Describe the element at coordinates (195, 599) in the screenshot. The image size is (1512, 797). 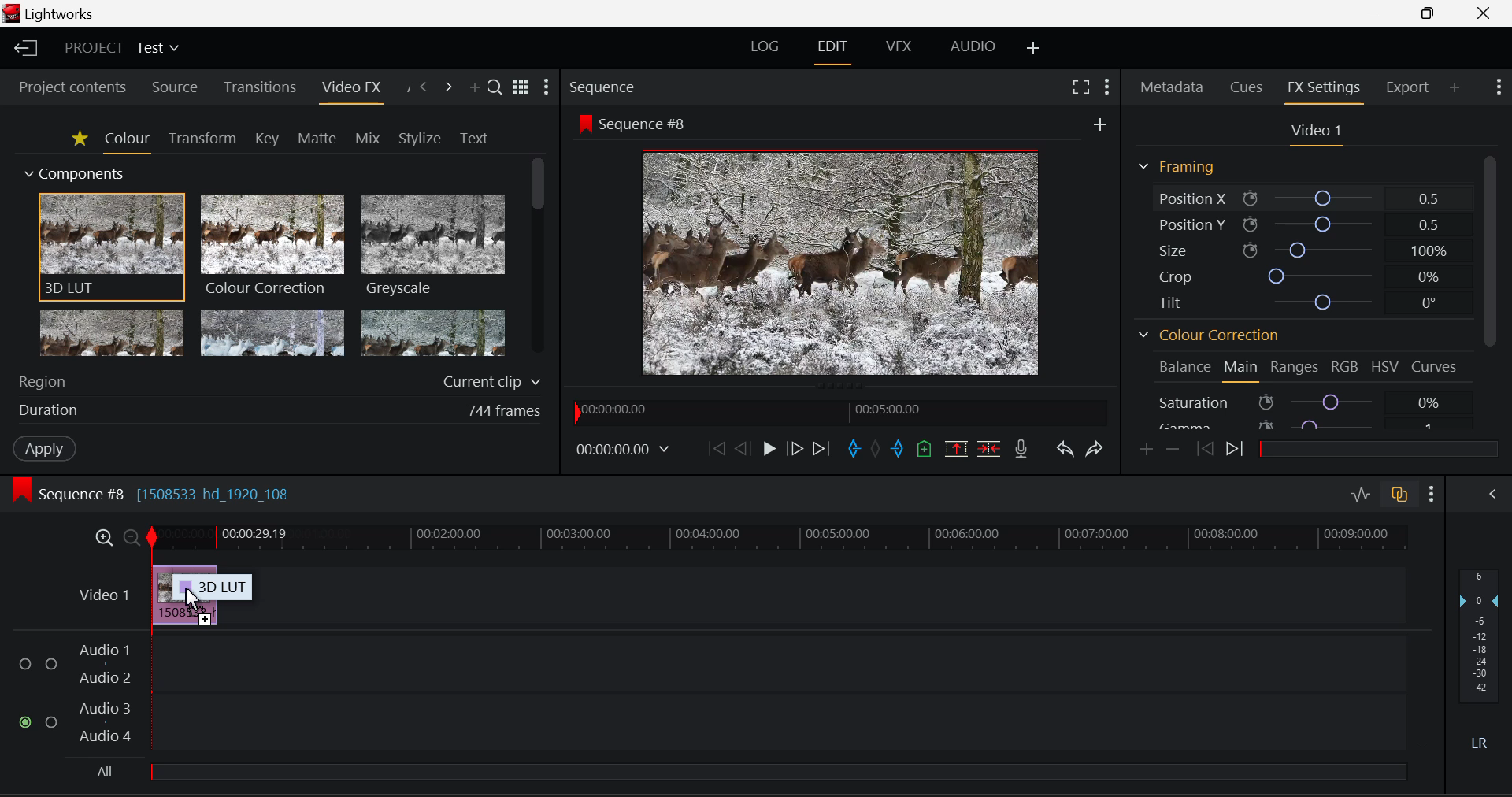
I see `MOUSE_DOWN Cursor Position` at that location.